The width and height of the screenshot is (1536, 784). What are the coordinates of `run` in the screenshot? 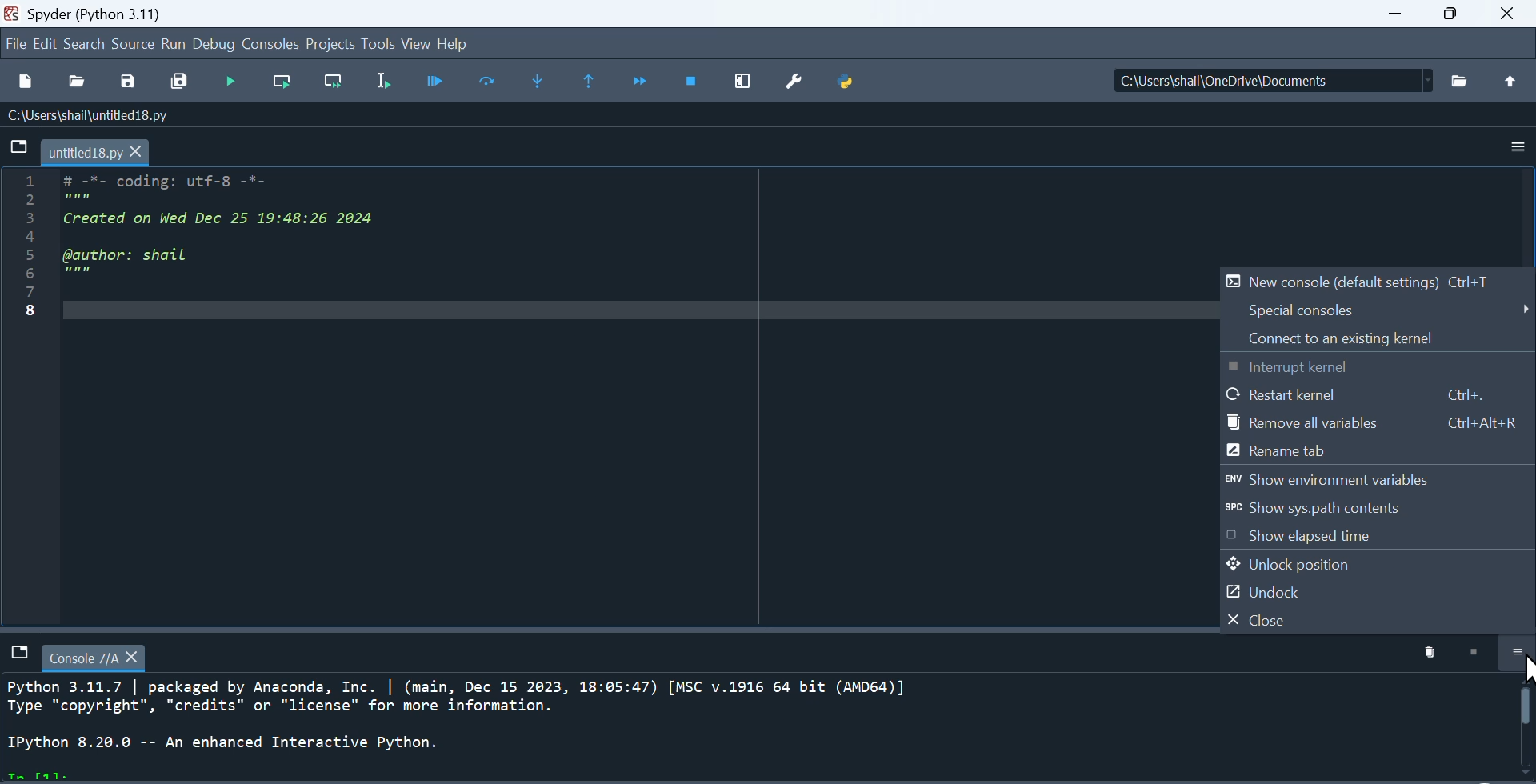 It's located at (174, 45).